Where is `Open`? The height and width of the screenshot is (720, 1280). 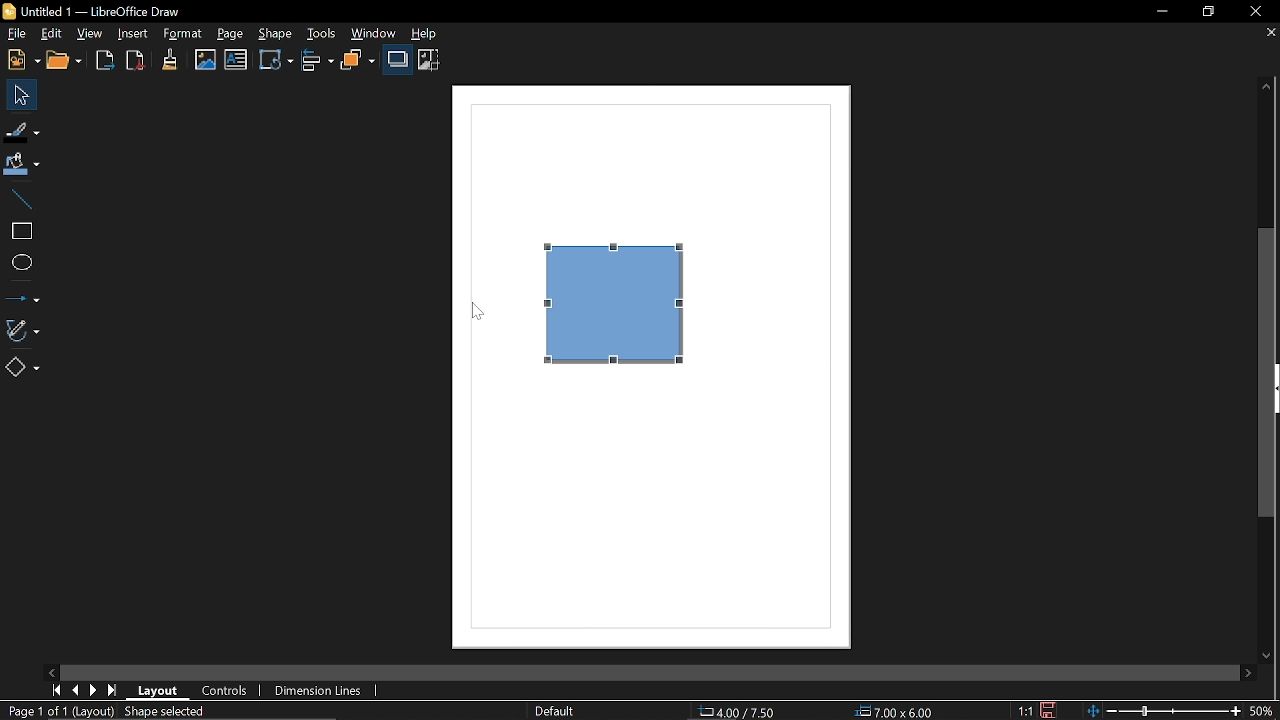
Open is located at coordinates (64, 61).